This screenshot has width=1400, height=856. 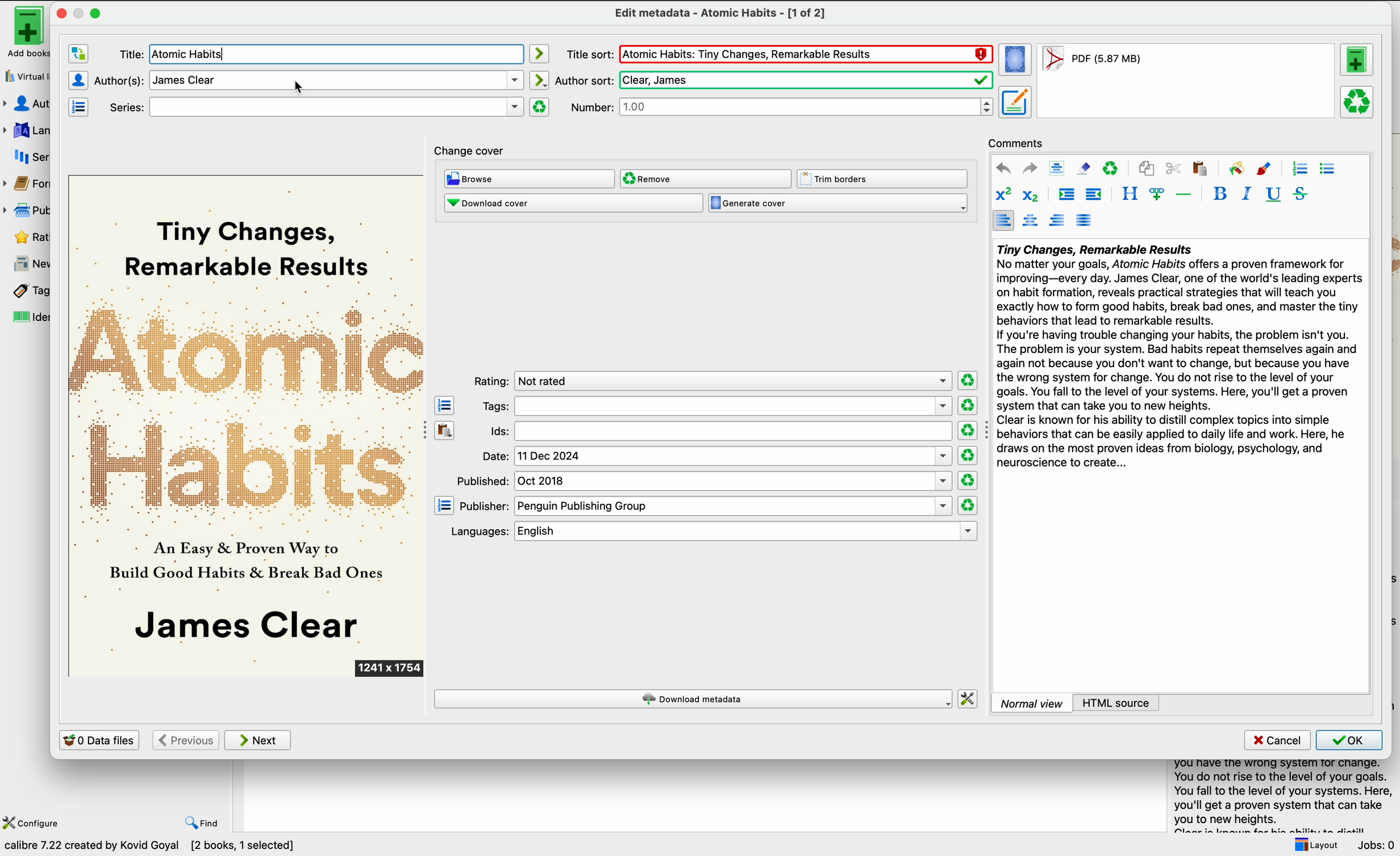 What do you see at coordinates (969, 456) in the screenshot?
I see `clear rating` at bounding box center [969, 456].